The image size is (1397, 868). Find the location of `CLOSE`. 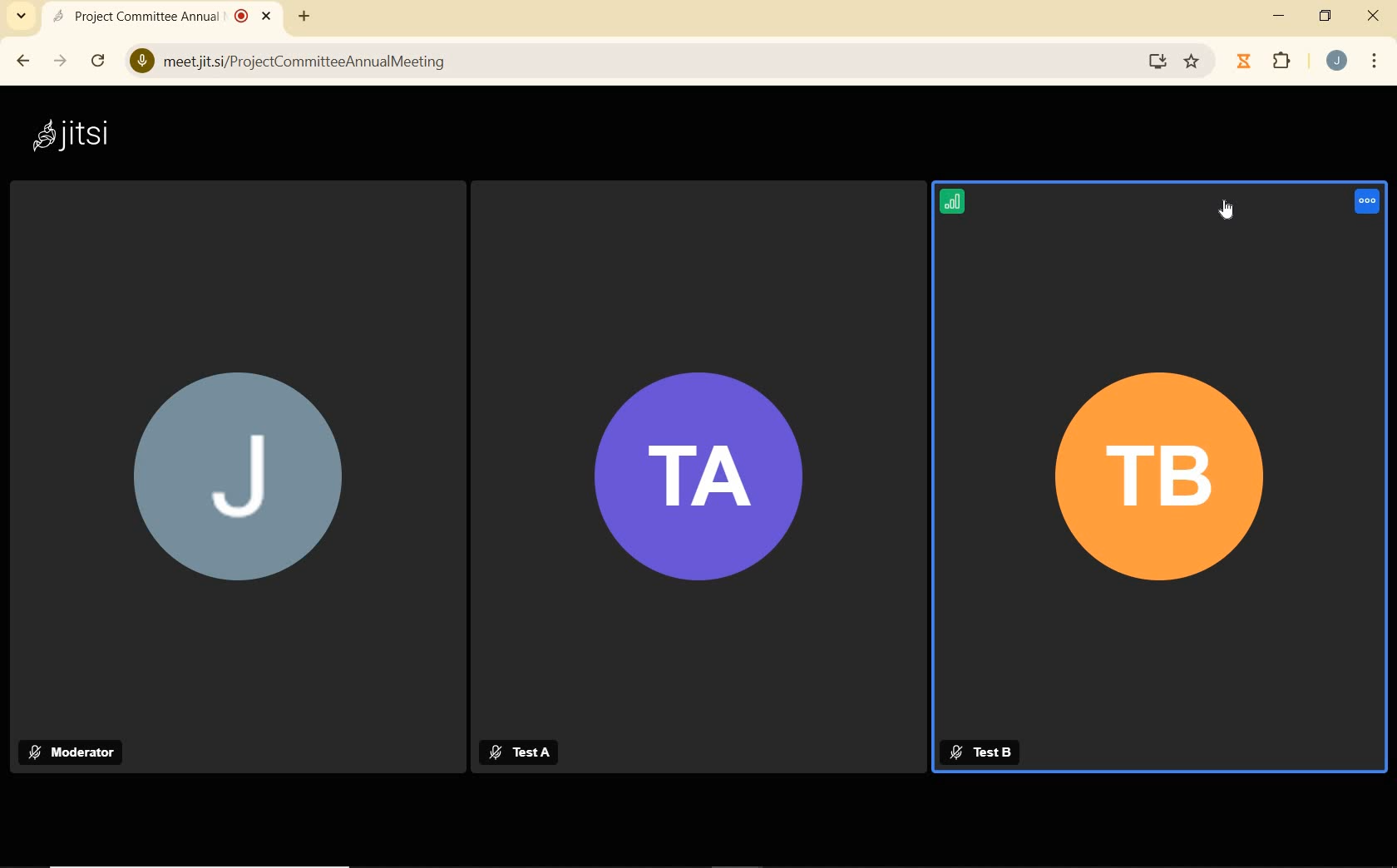

CLOSE is located at coordinates (1375, 16).